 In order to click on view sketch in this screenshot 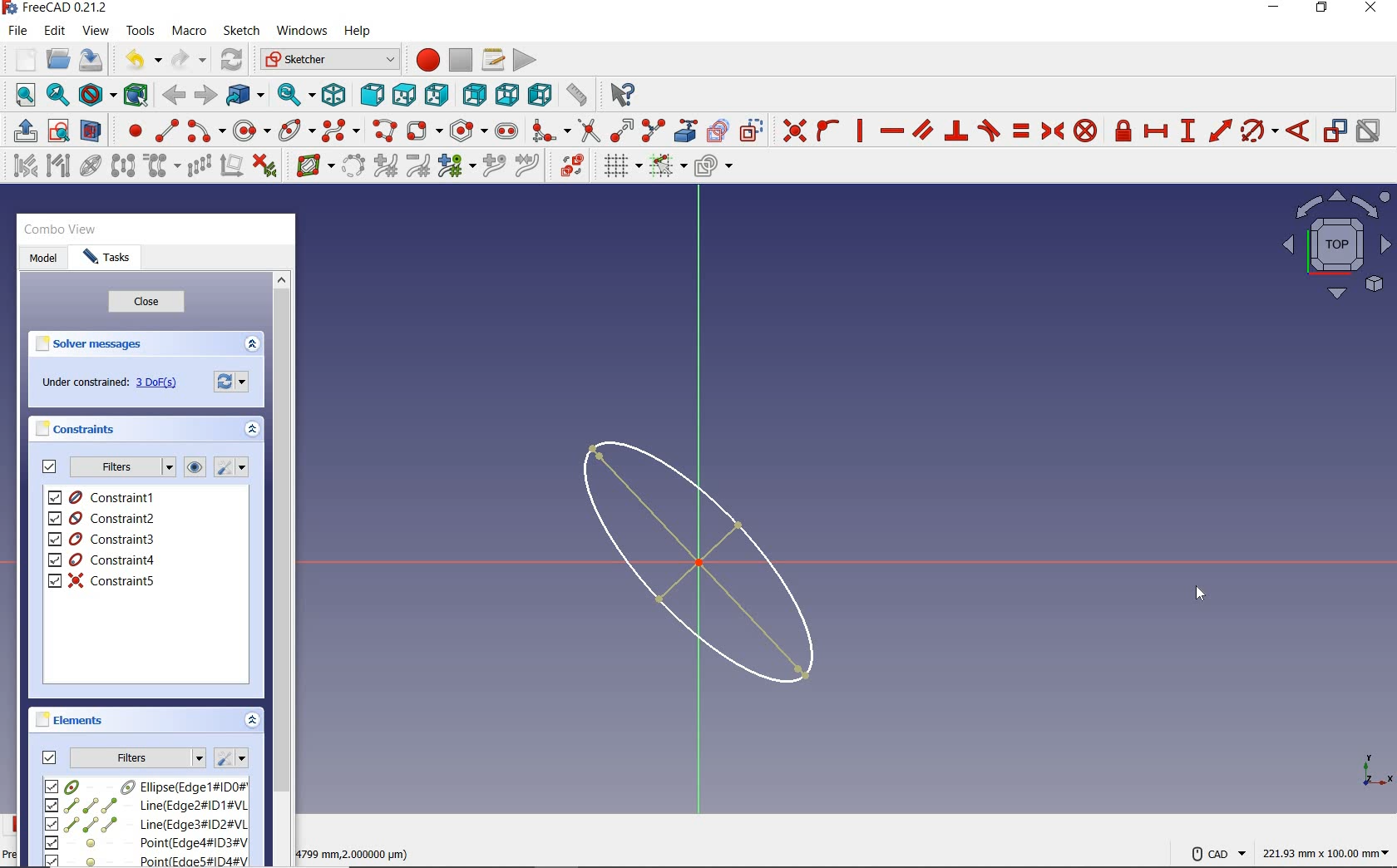, I will do `click(60, 129)`.